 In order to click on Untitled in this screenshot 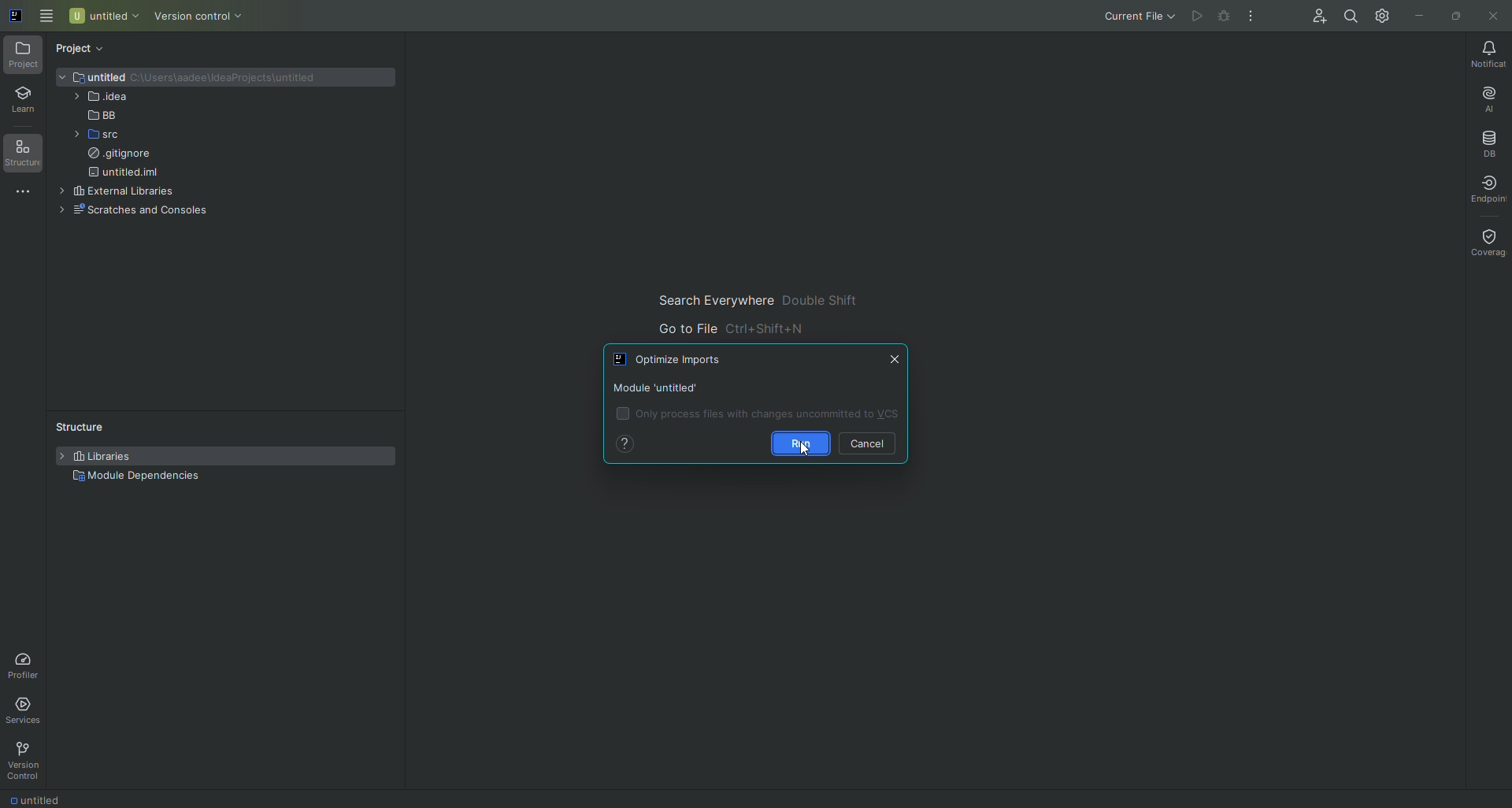, I will do `click(43, 799)`.